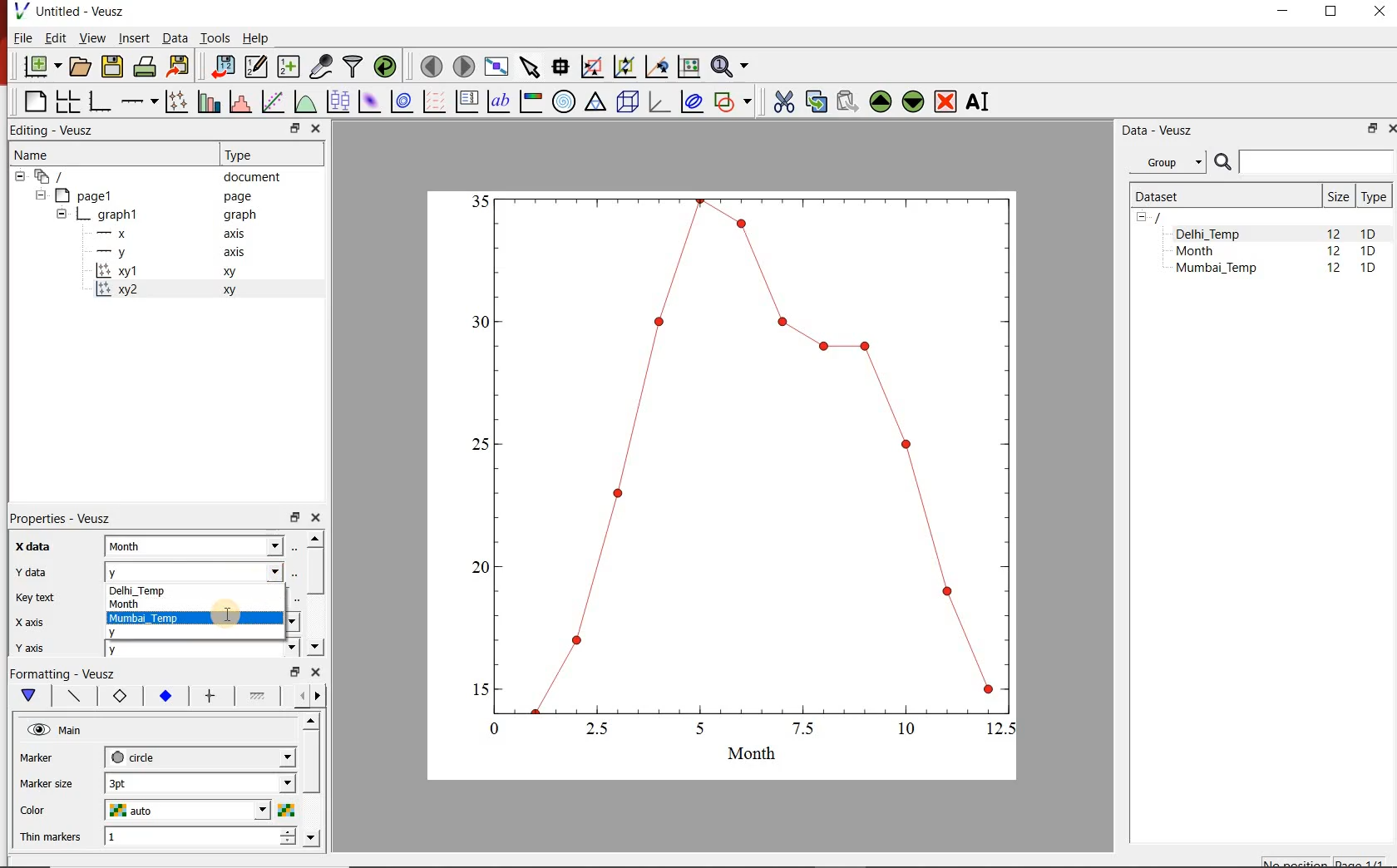  Describe the element at coordinates (1373, 129) in the screenshot. I see `RESTORE` at that location.